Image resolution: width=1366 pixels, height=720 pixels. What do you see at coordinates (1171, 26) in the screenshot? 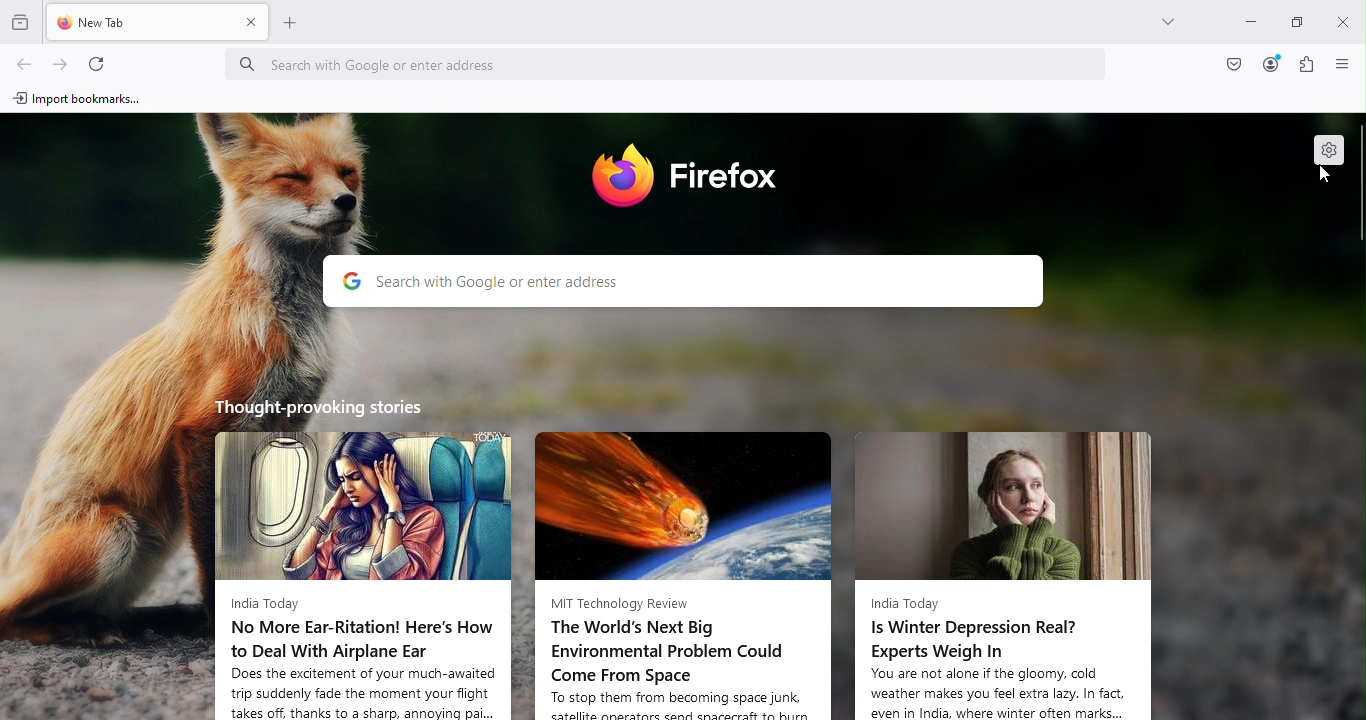
I see `List all tabs` at bounding box center [1171, 26].